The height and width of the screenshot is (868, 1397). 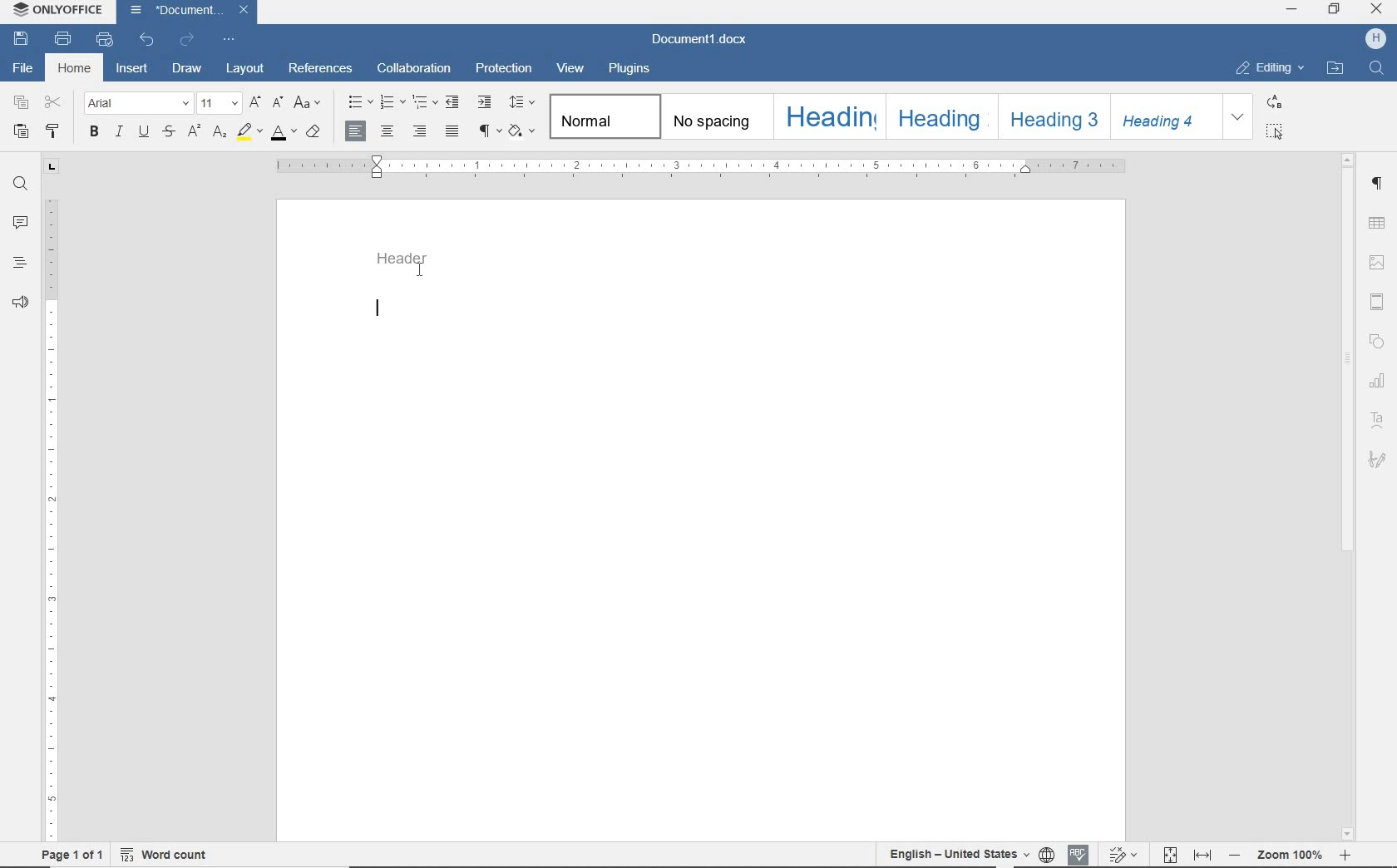 I want to click on change case, so click(x=309, y=104).